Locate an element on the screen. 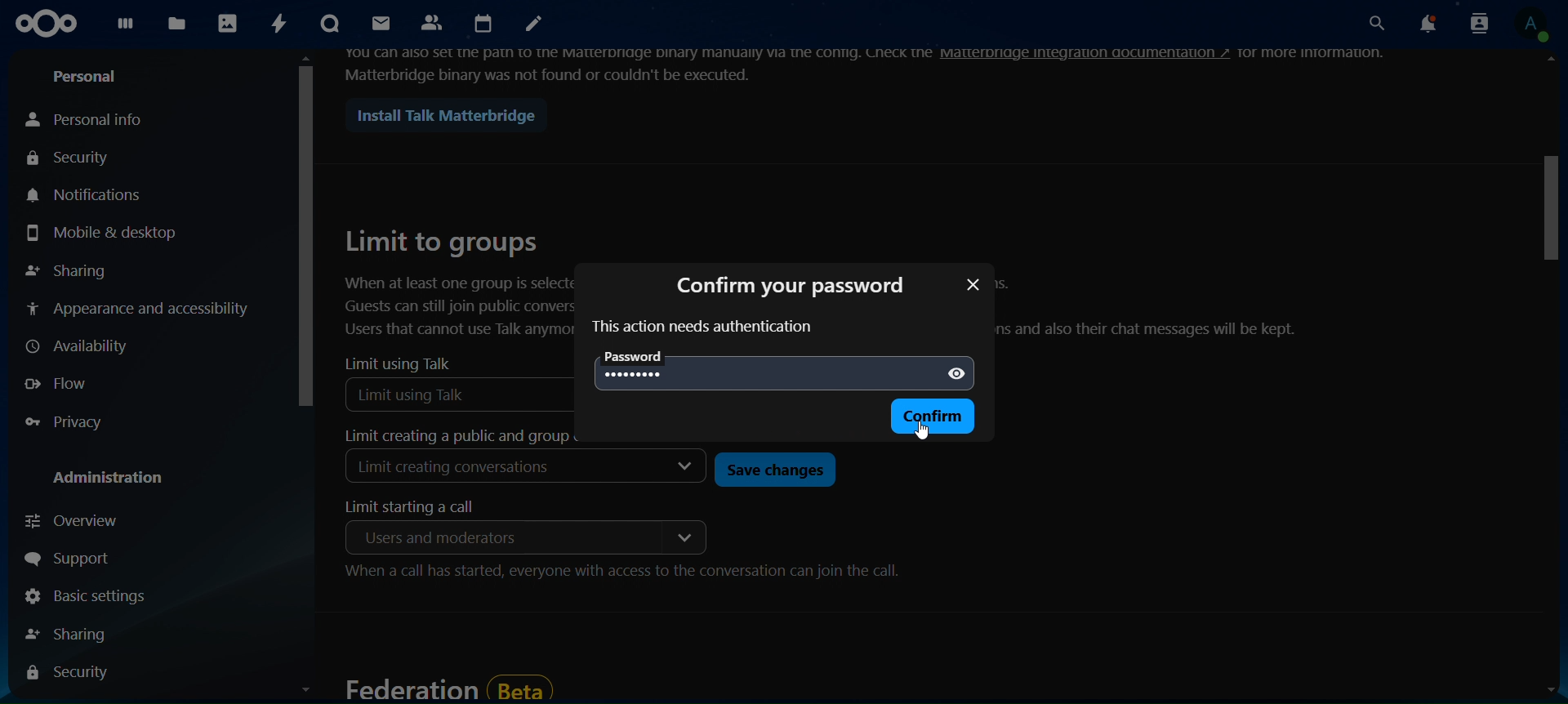 The height and width of the screenshot is (704, 1568). security is located at coordinates (72, 159).